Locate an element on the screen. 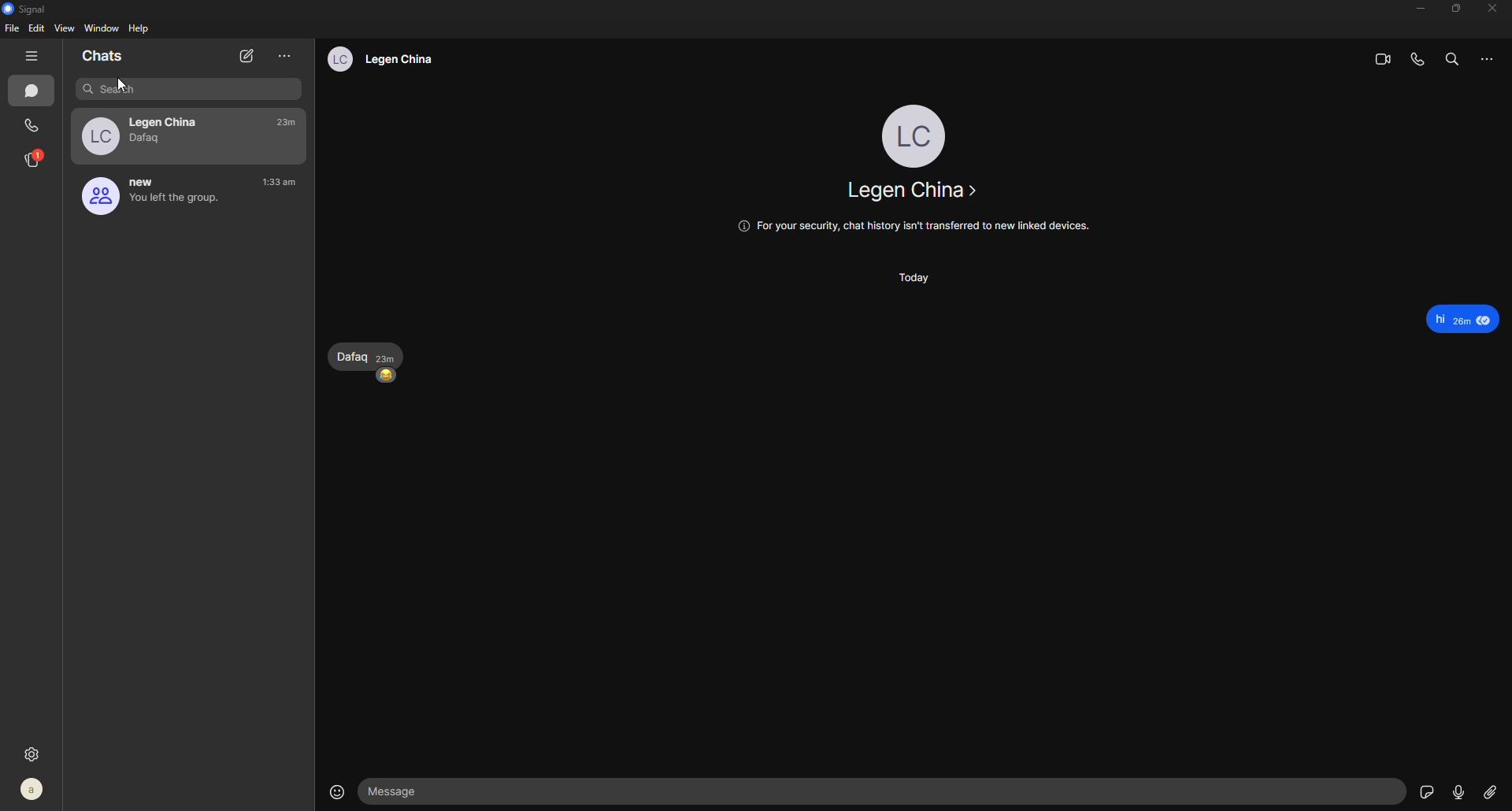 The image size is (1512, 811).  you left the group is located at coordinates (181, 202).